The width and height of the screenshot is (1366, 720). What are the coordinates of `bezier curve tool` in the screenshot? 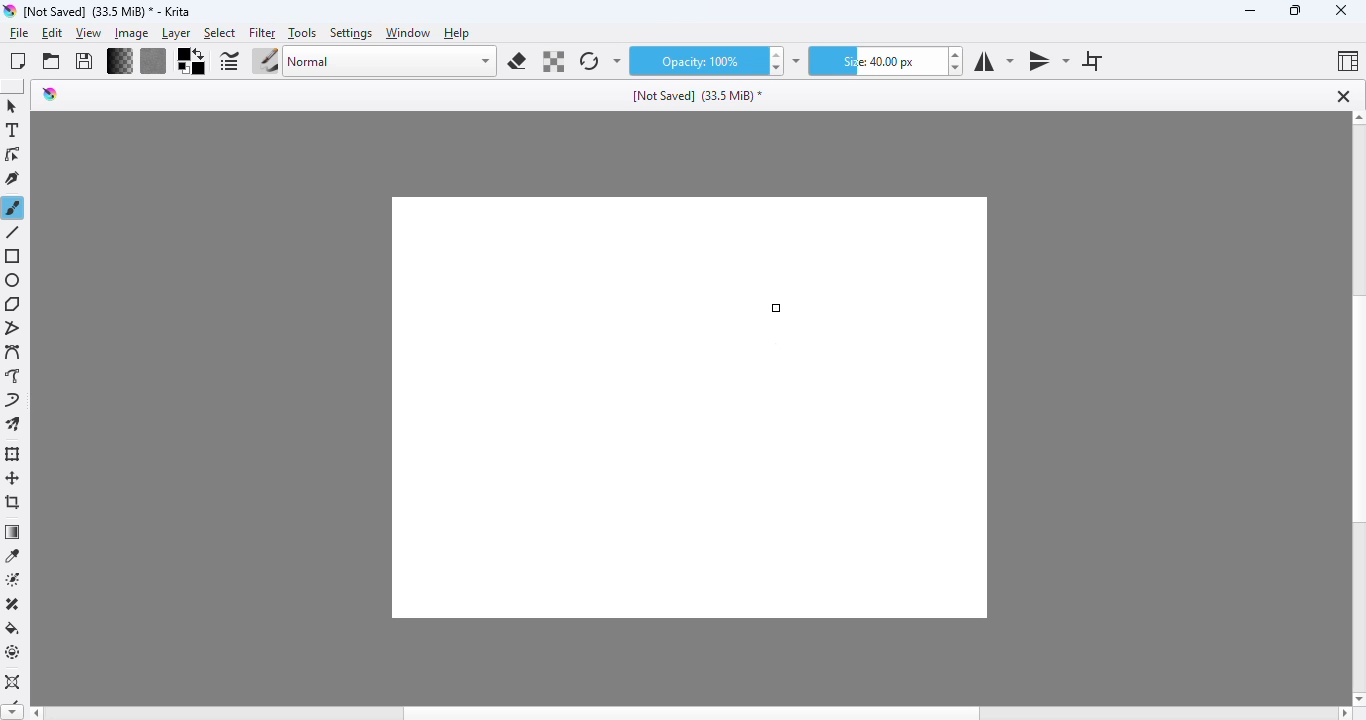 It's located at (15, 353).